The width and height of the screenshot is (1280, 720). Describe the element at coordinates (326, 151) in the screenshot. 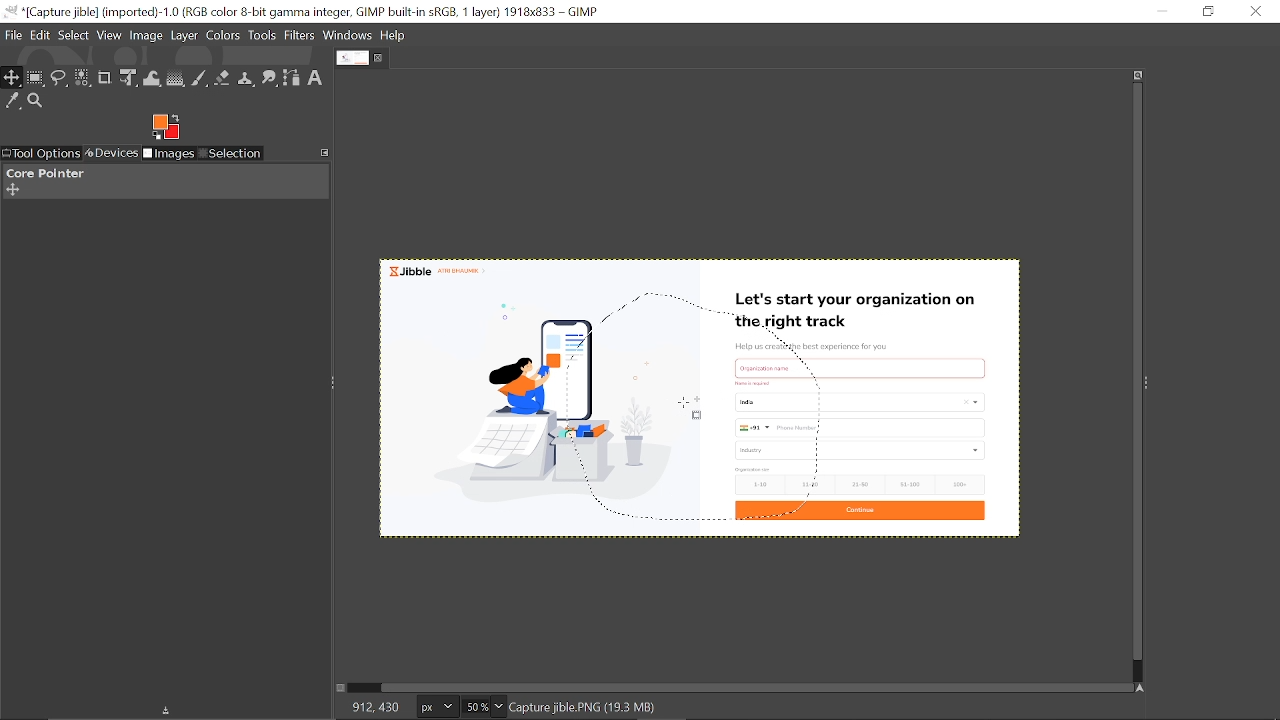

I see `Configure this tab` at that location.